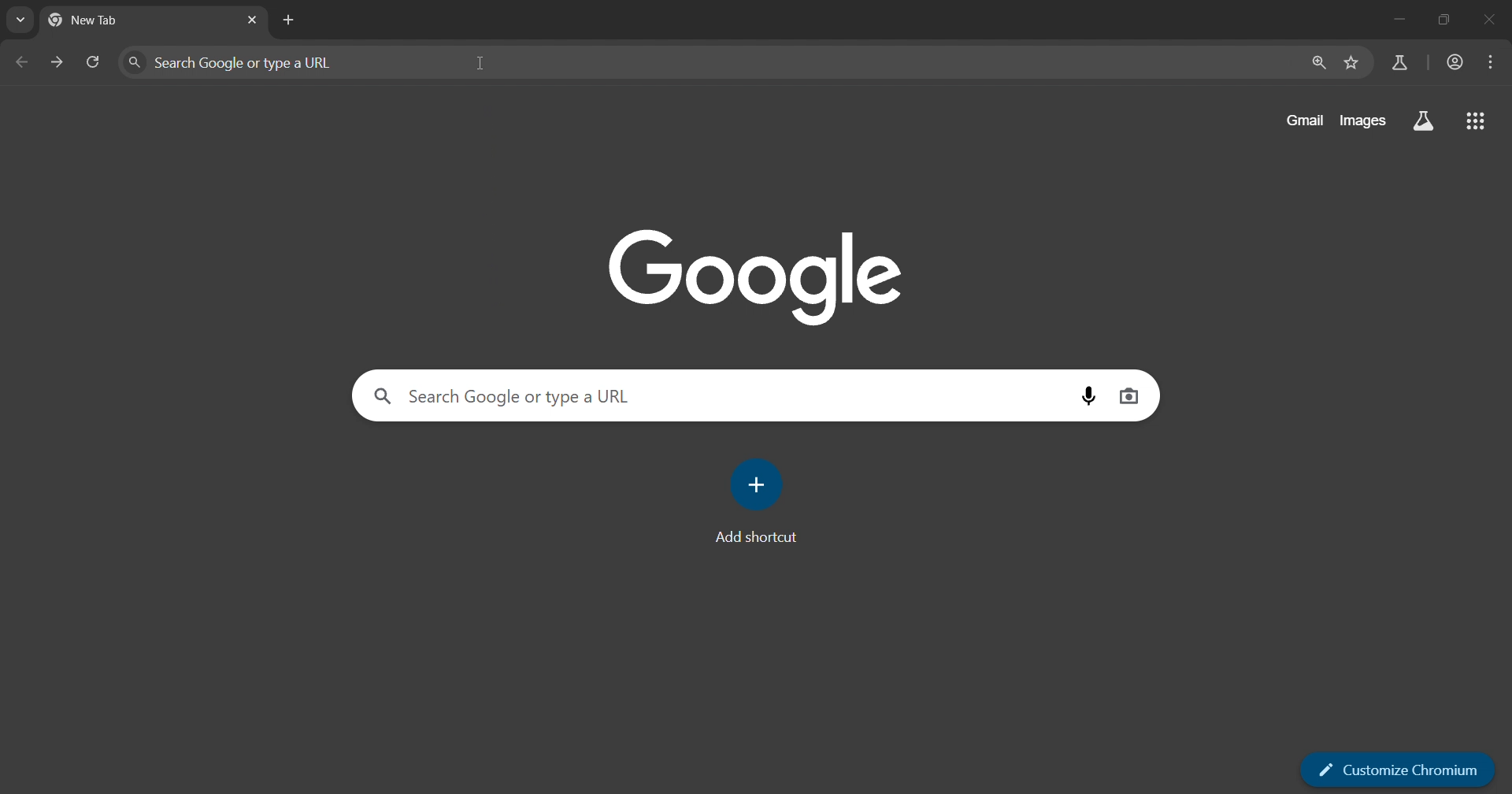 The height and width of the screenshot is (794, 1512). I want to click on search tabs, so click(19, 20).